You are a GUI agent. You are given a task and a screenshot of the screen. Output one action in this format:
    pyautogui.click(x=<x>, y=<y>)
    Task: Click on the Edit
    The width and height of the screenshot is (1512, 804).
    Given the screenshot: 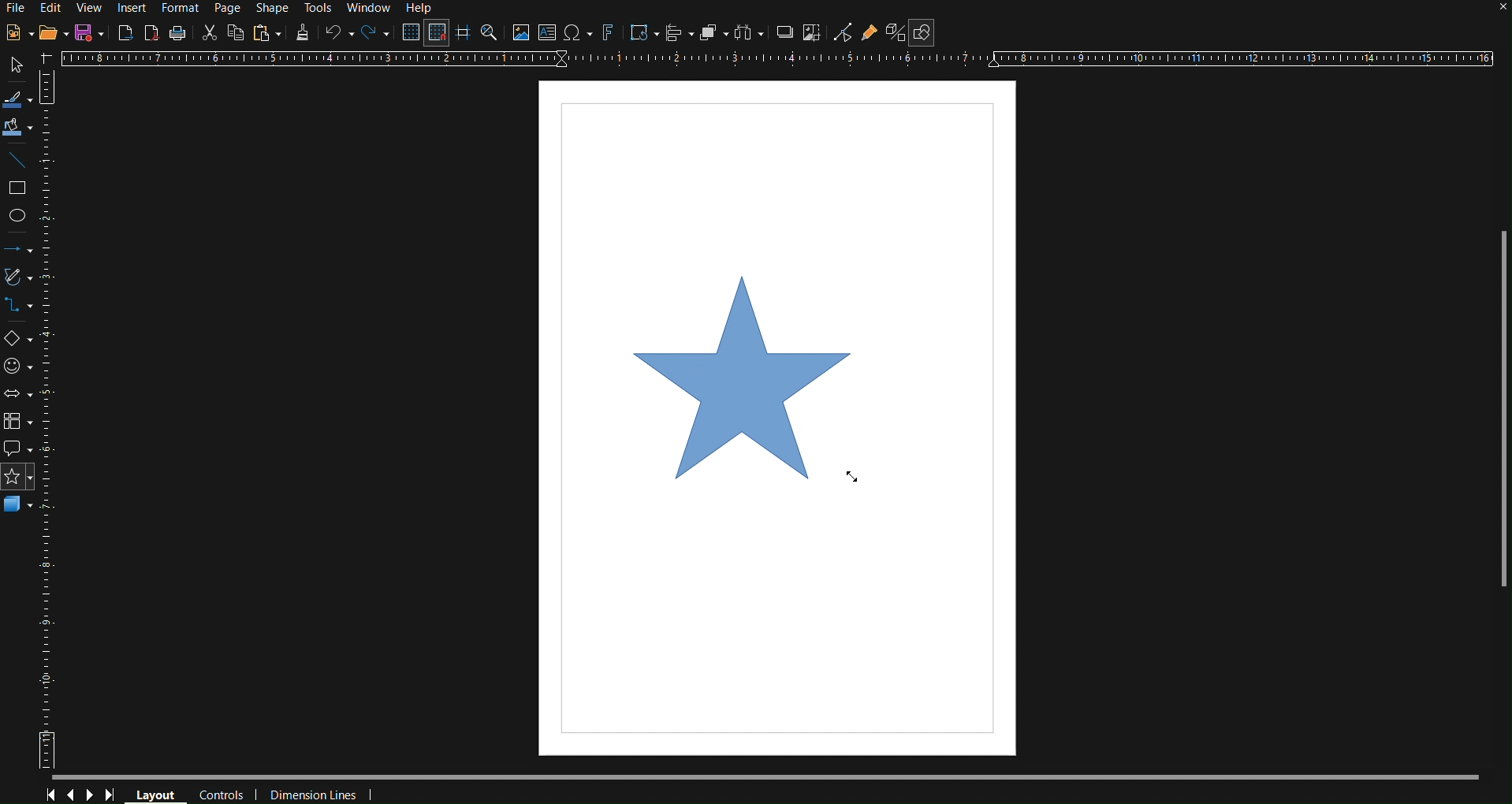 What is the action you would take?
    pyautogui.click(x=54, y=9)
    